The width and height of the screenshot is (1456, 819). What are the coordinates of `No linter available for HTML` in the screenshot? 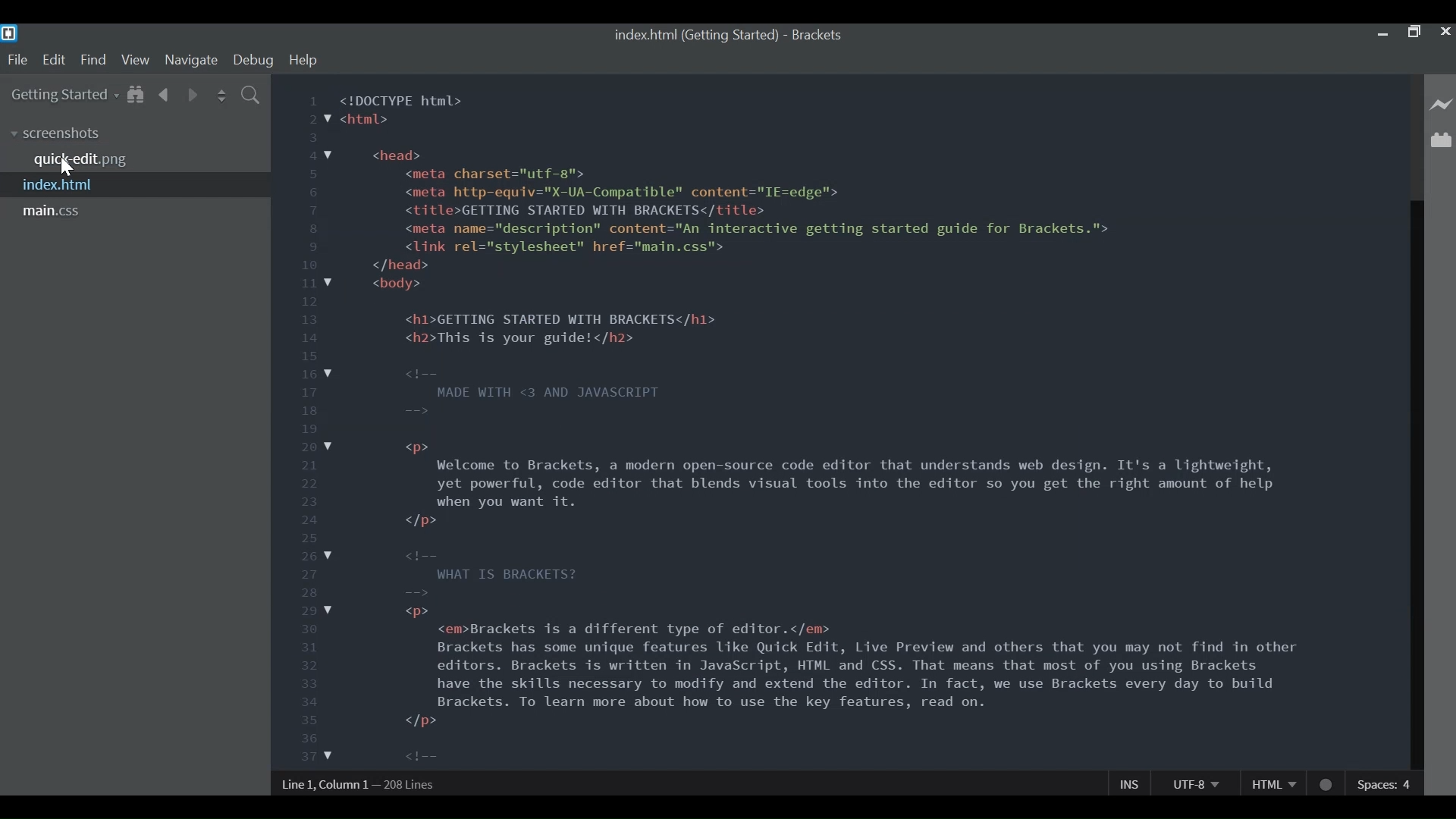 It's located at (1326, 784).